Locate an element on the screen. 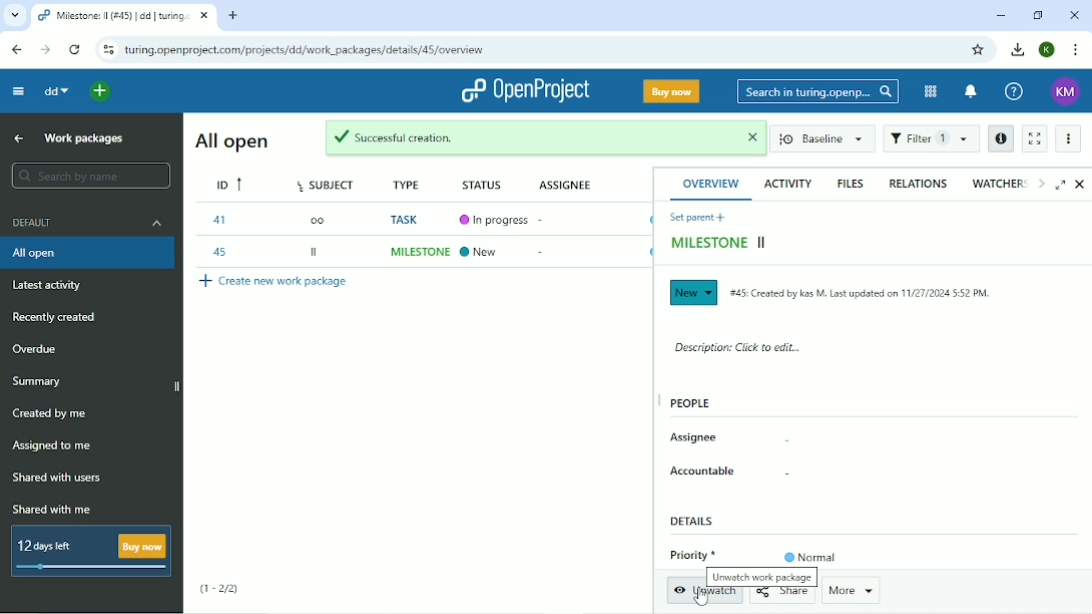 The height and width of the screenshot is (614, 1092). Enlarge is located at coordinates (1060, 183).